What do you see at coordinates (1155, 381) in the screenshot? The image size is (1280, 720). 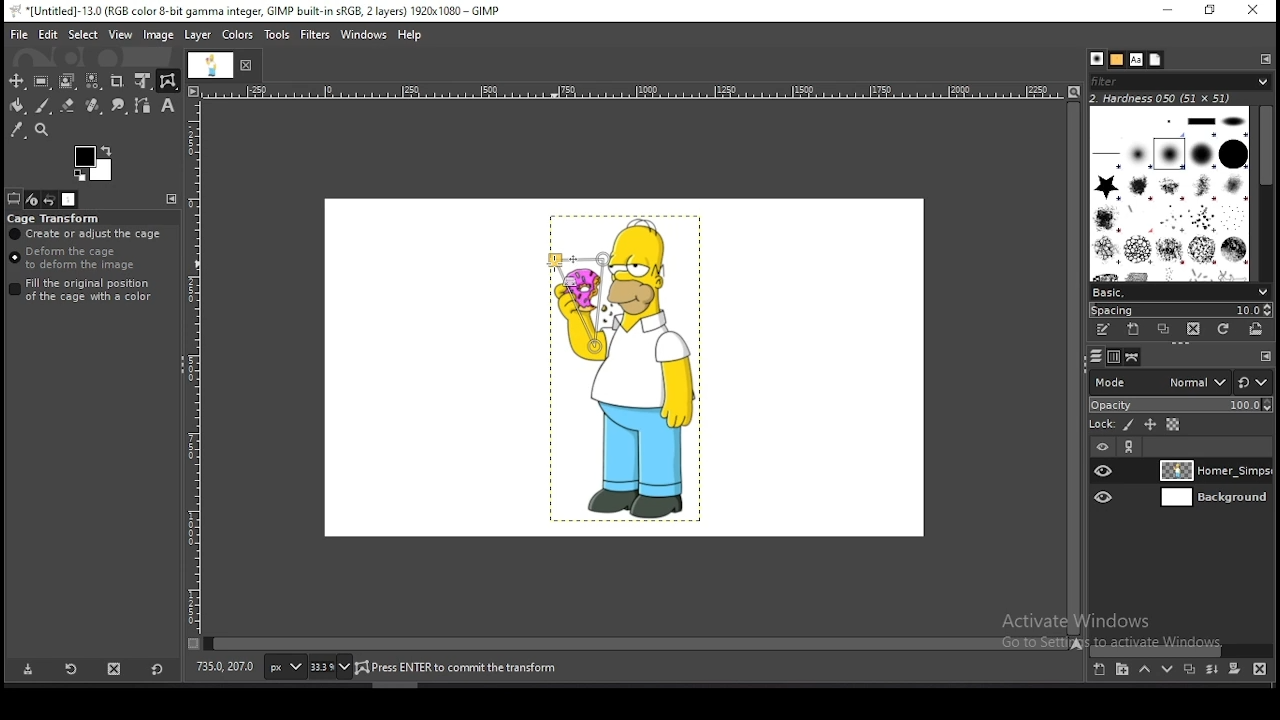 I see `blend mode` at bounding box center [1155, 381].